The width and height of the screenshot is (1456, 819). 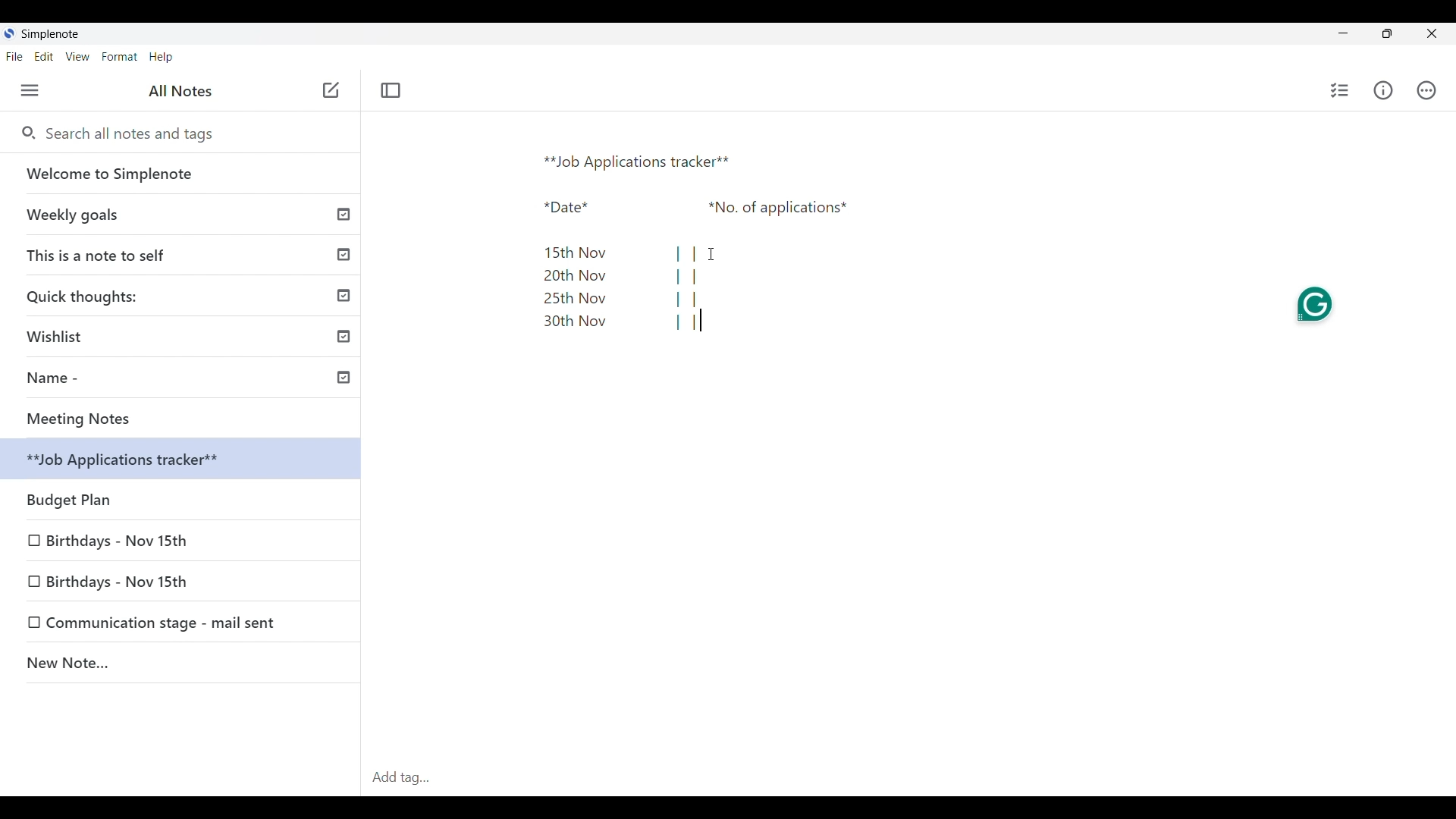 I want to click on Text cursor, so click(x=702, y=320).